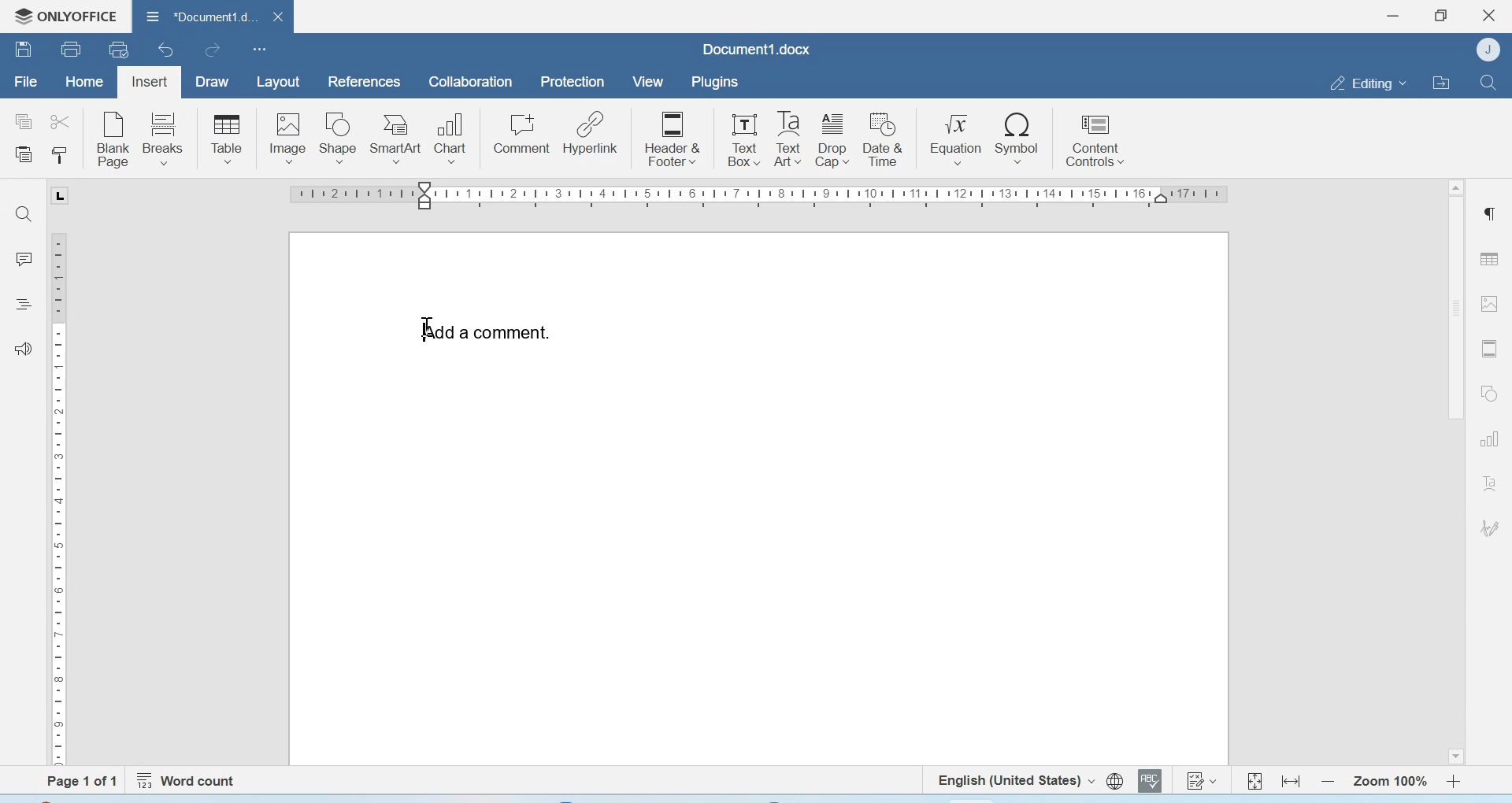  I want to click on Scrollbar, so click(1455, 470).